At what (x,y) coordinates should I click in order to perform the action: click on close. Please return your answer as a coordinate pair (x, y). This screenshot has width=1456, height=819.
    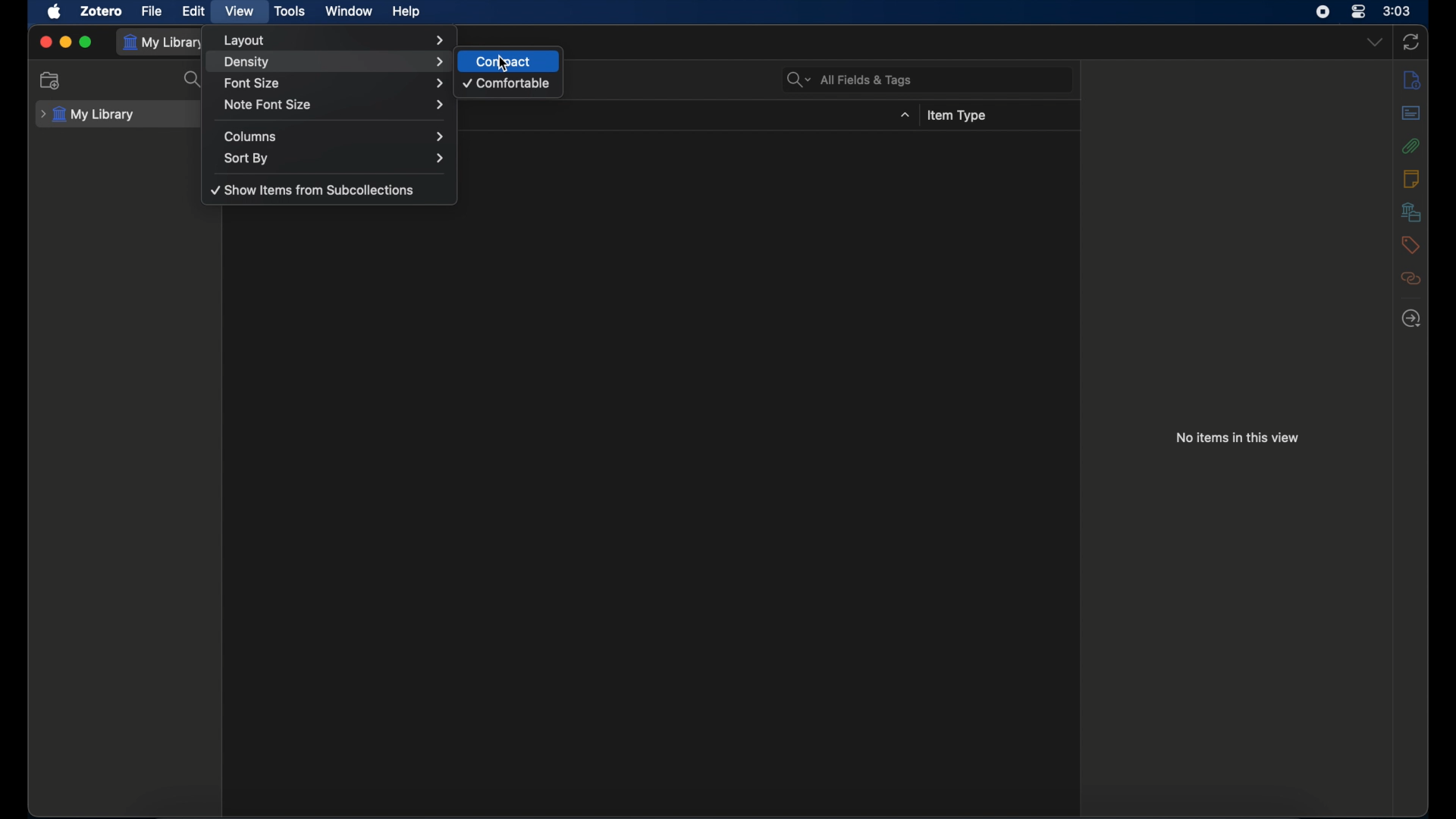
    Looking at the image, I should click on (46, 42).